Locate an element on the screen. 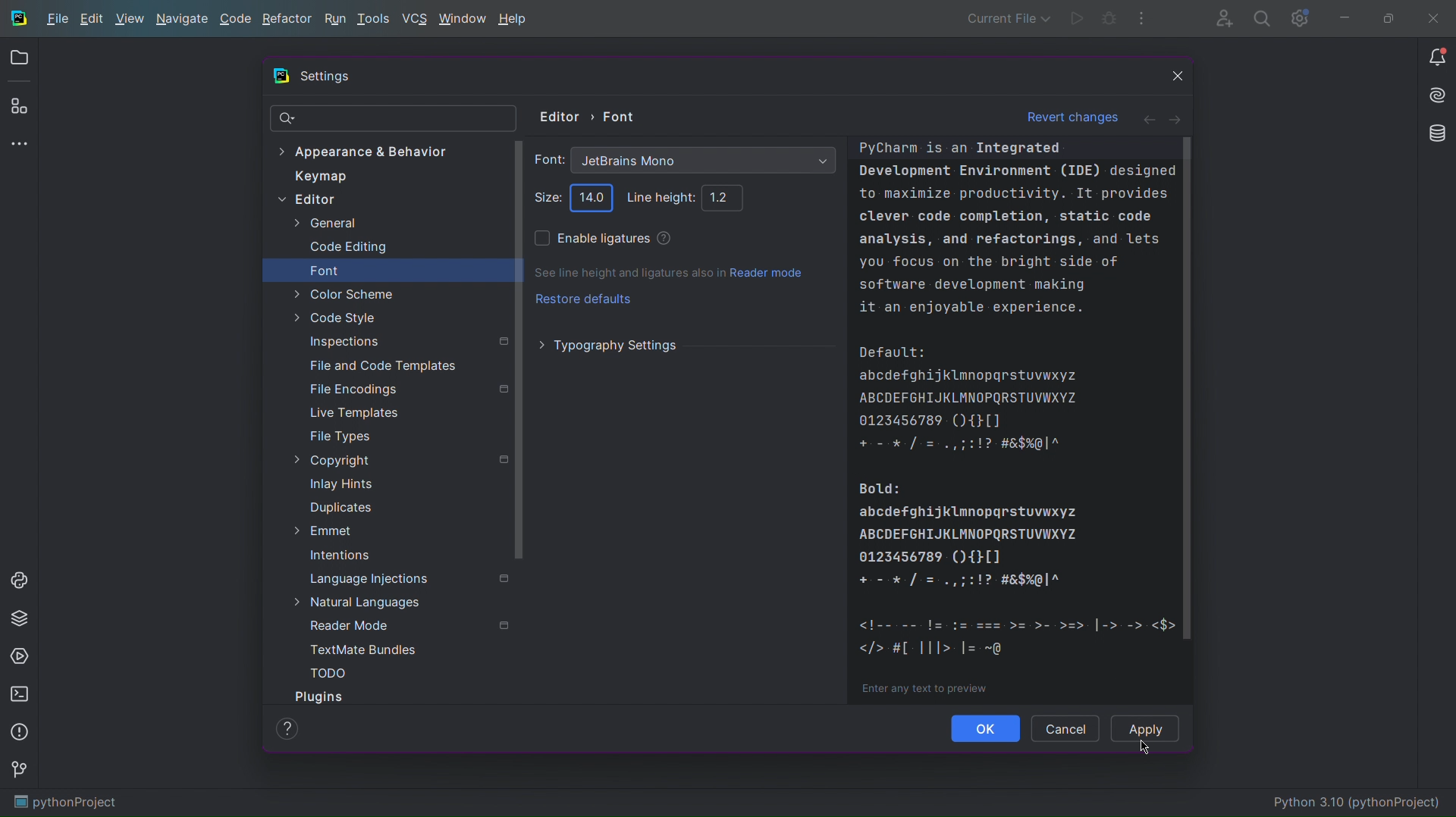 This screenshot has width=1456, height=817. Code is located at coordinates (1021, 422).